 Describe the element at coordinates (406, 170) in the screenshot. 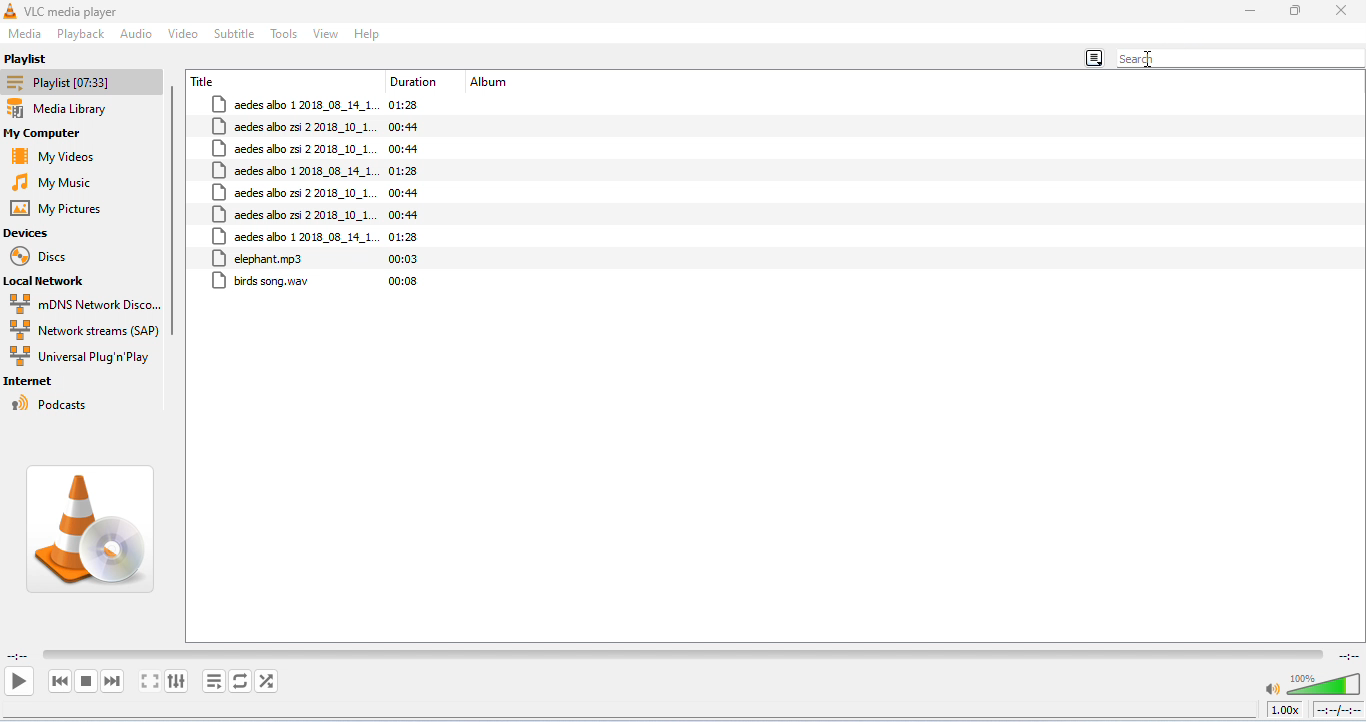

I see `01:28` at that location.